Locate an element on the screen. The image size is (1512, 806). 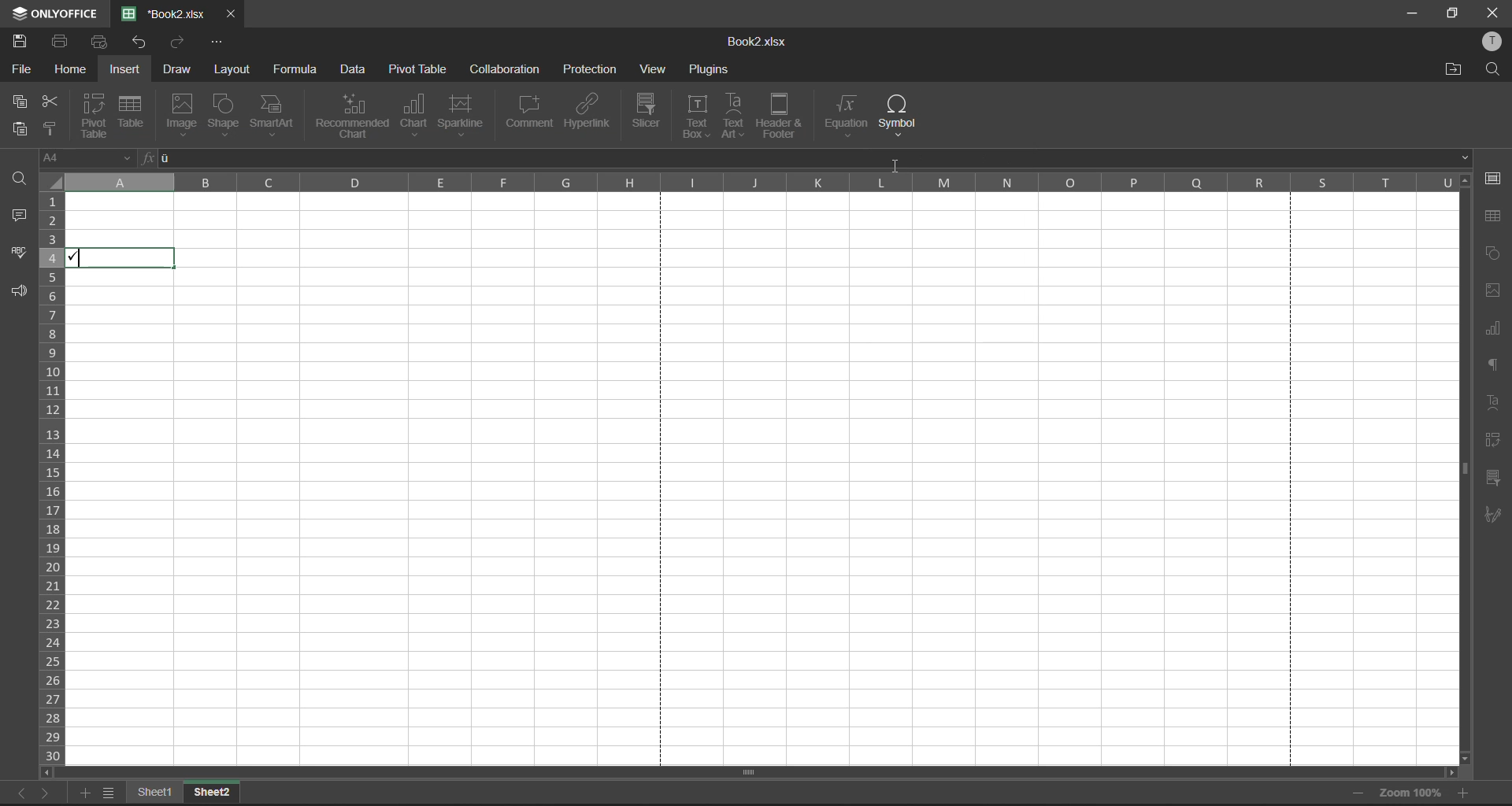
close is located at coordinates (1495, 12).